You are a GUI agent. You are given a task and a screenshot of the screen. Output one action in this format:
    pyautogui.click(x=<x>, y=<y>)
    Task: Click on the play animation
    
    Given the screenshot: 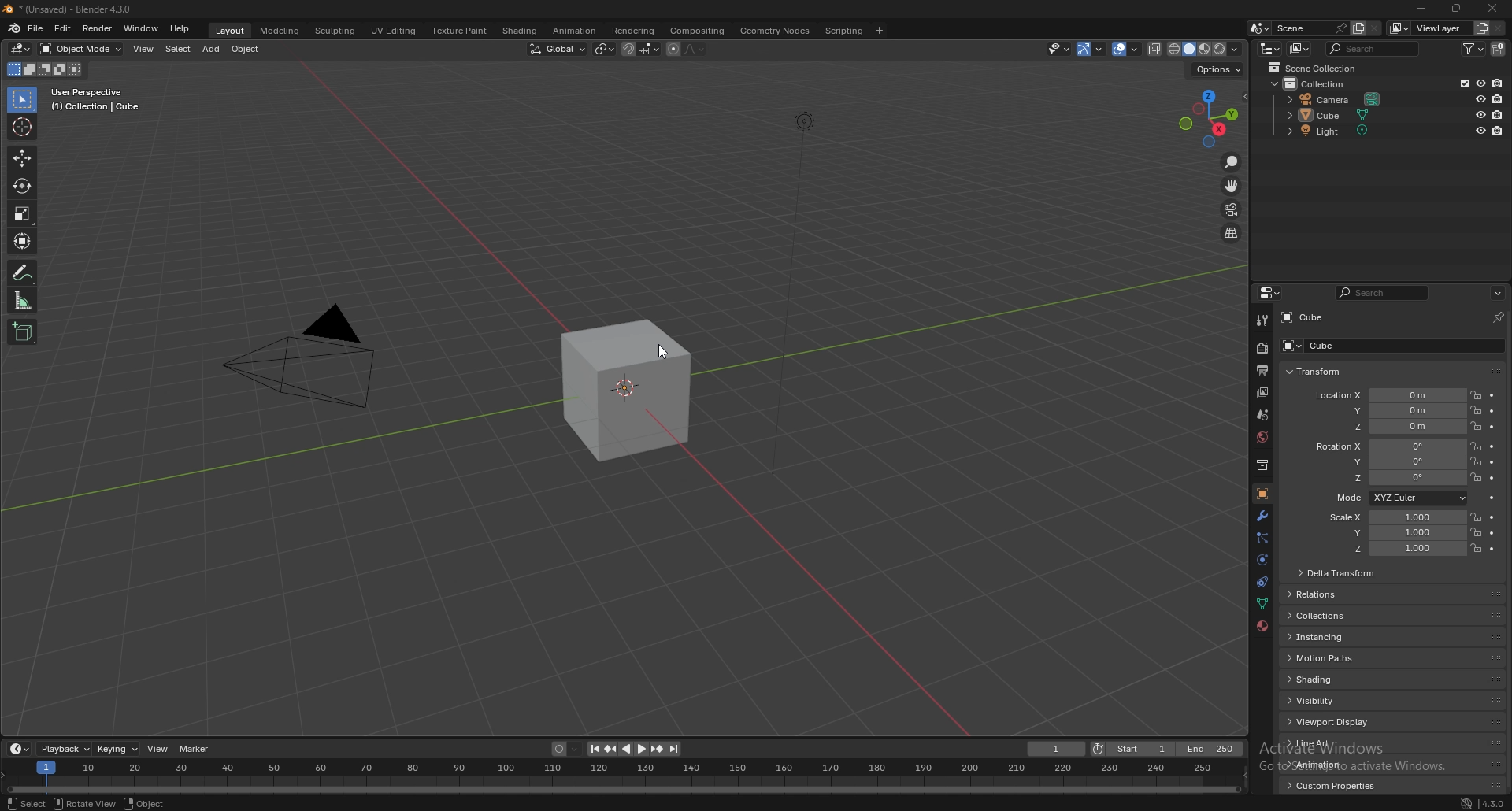 What is the action you would take?
    pyautogui.click(x=633, y=748)
    